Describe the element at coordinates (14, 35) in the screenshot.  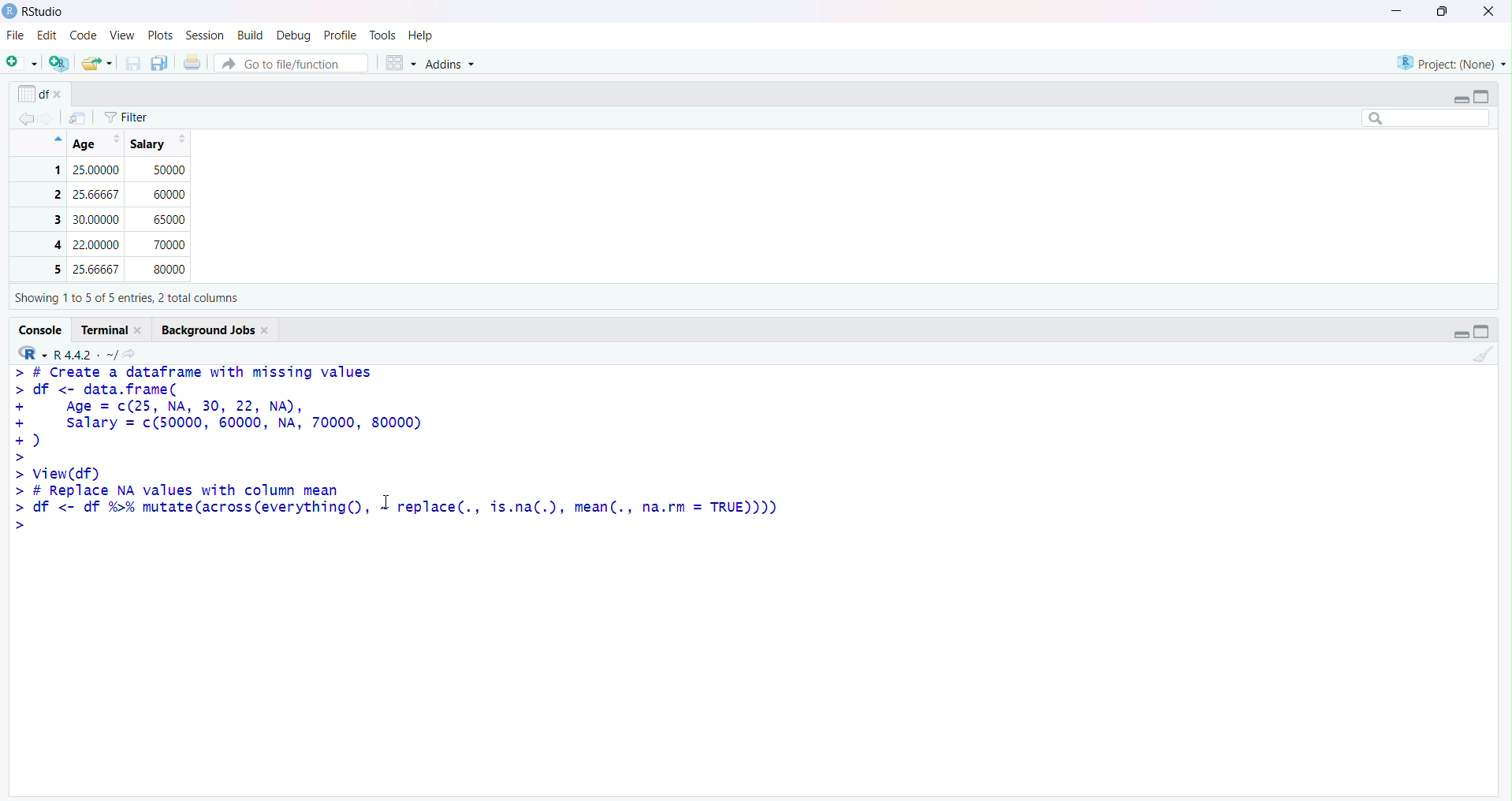
I see `File` at that location.